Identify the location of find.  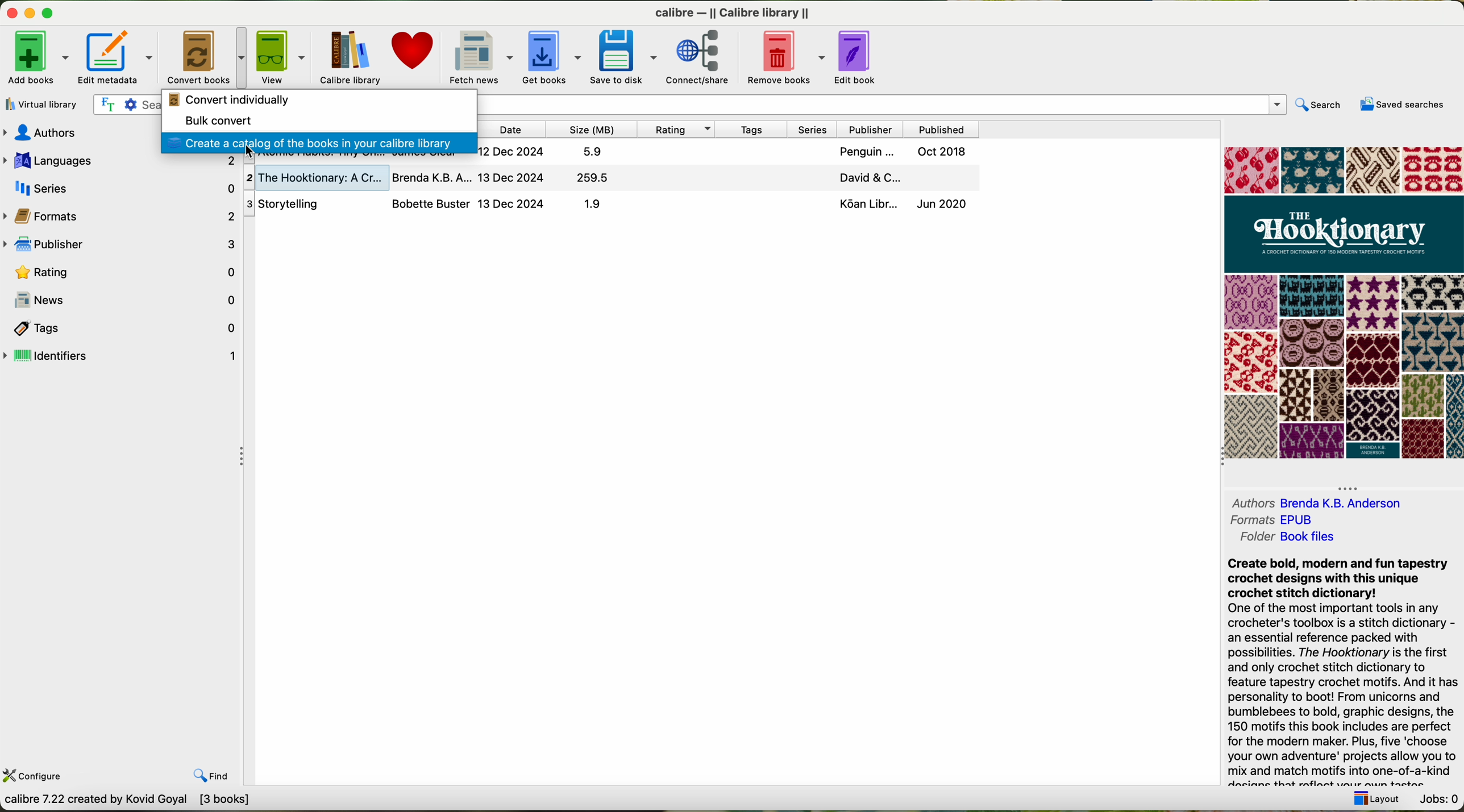
(212, 773).